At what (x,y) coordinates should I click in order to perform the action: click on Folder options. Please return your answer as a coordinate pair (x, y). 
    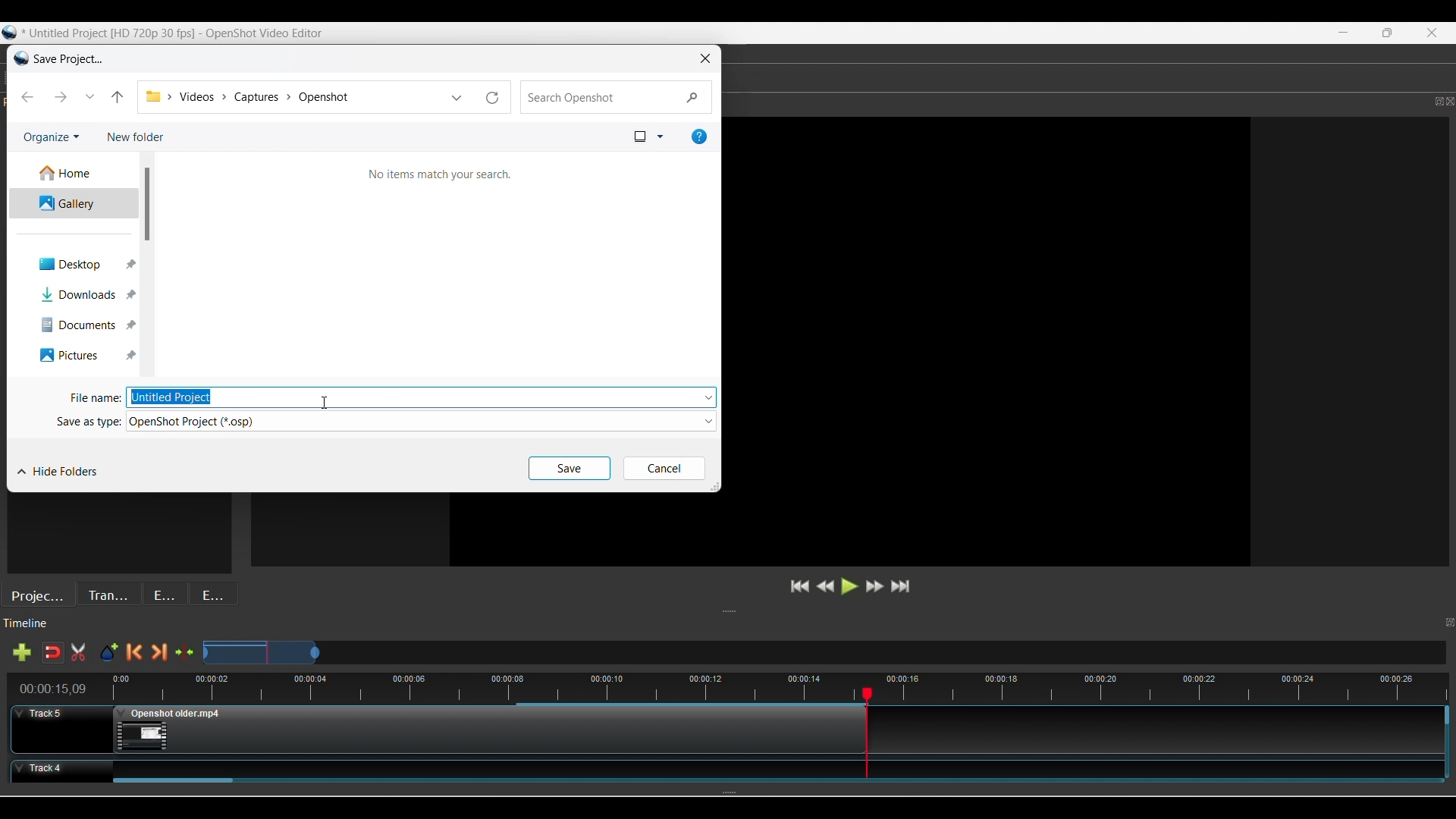
    Looking at the image, I should click on (709, 422).